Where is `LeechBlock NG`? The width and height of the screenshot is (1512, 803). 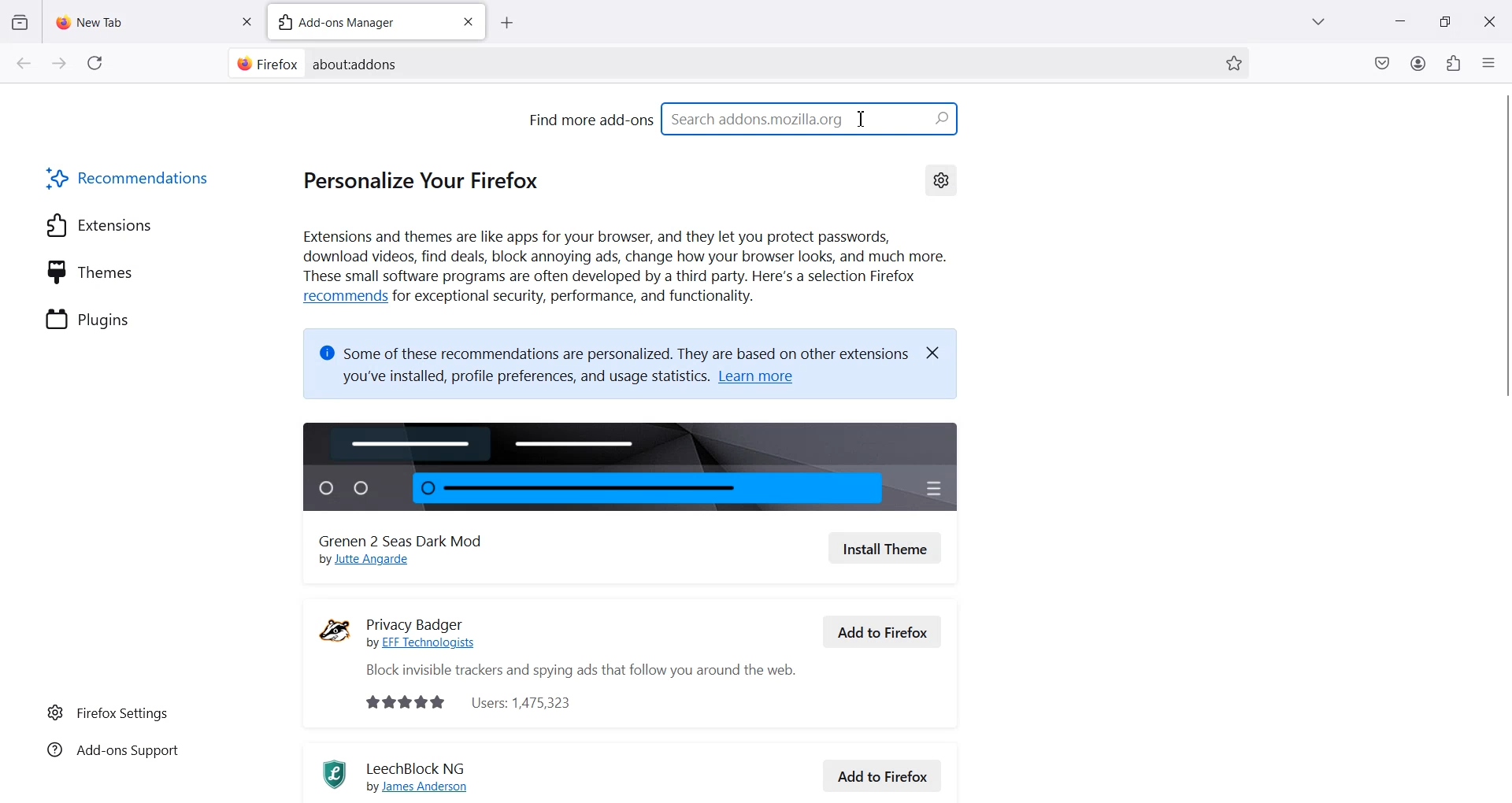
LeechBlock NG is located at coordinates (421, 766).